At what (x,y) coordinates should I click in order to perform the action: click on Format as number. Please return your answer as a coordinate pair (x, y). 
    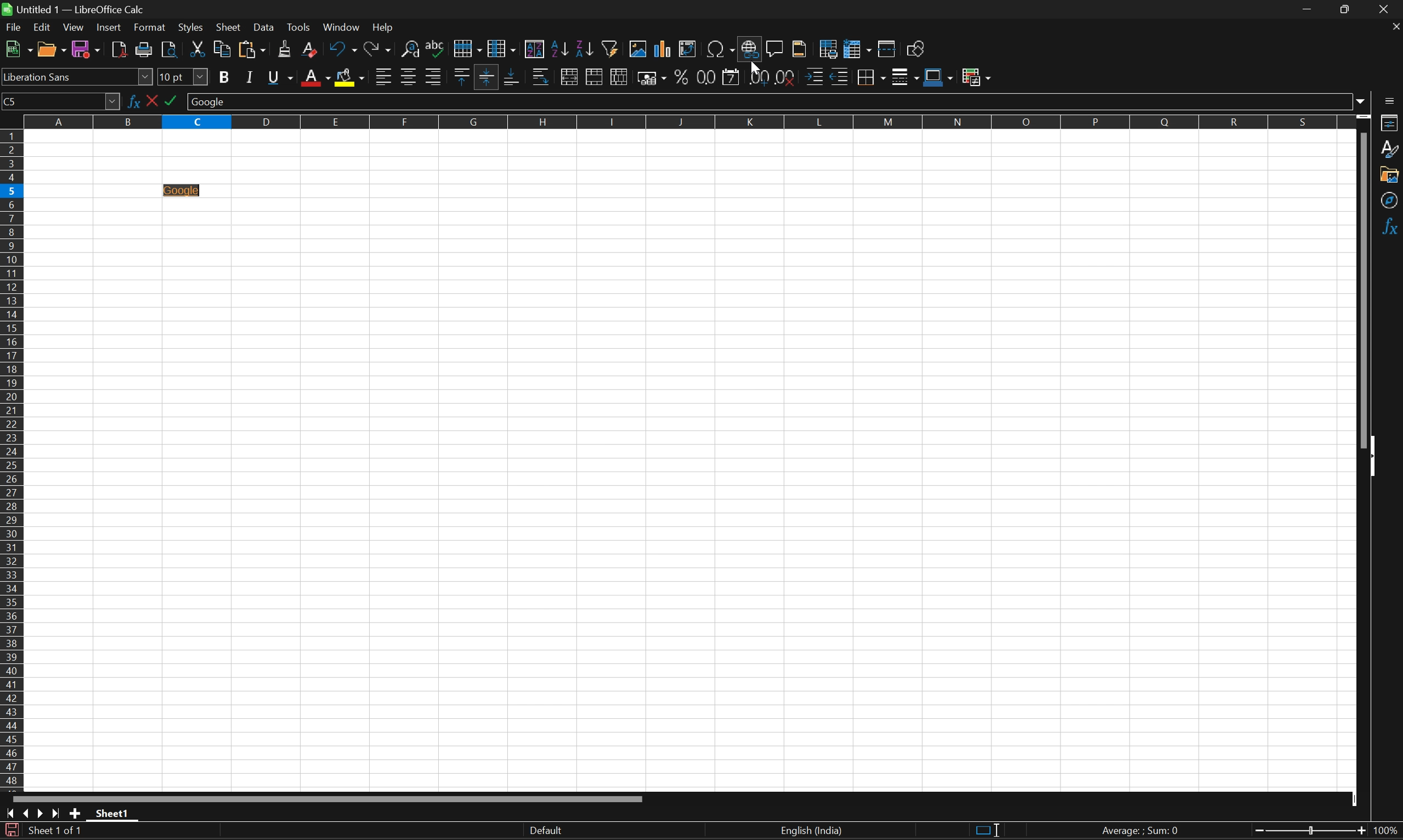
    Looking at the image, I should click on (705, 78).